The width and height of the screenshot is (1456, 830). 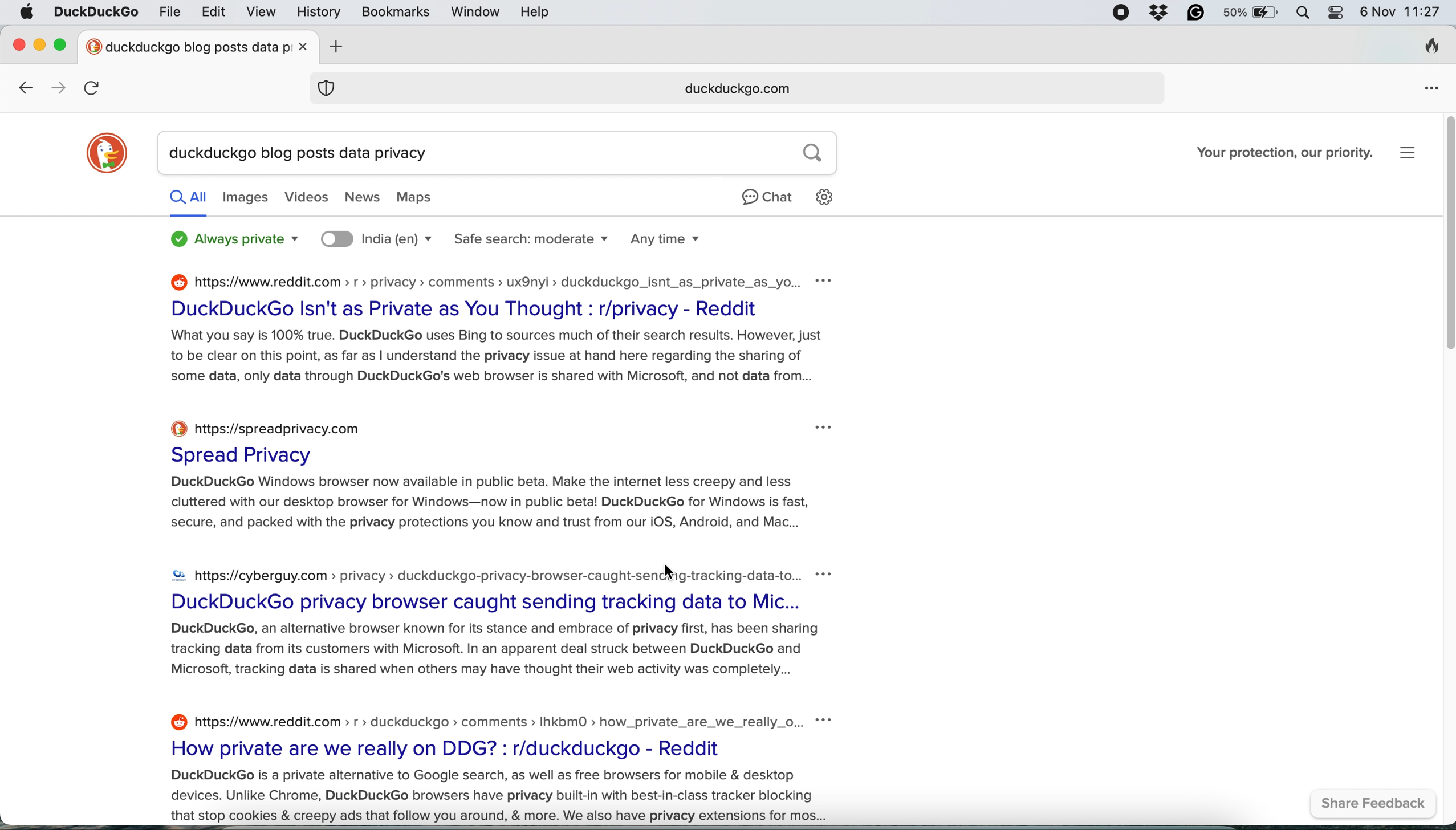 I want to click on https://spreadprivacy.com, so click(x=274, y=426).